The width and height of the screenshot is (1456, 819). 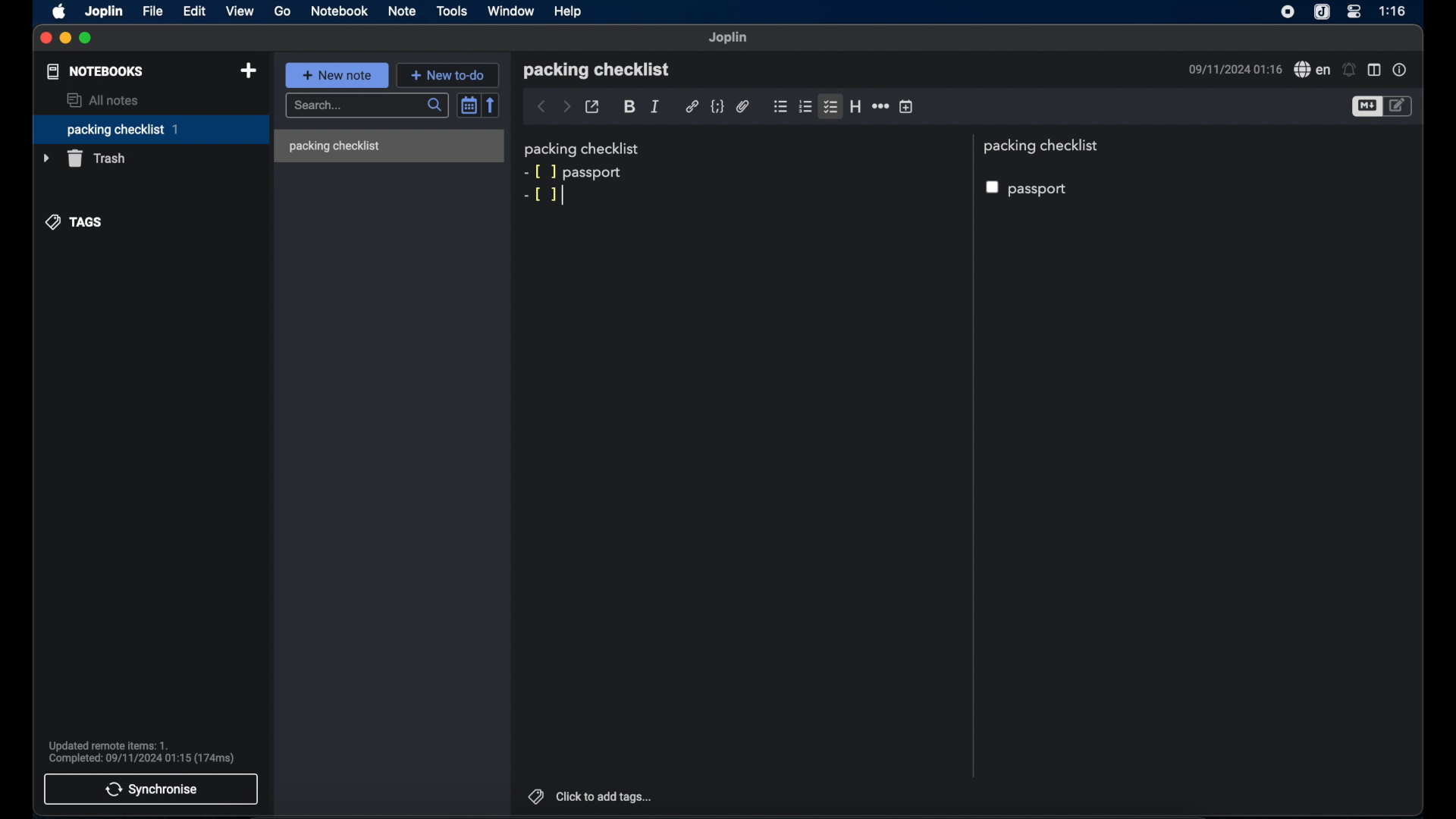 I want to click on new note, so click(x=337, y=75).